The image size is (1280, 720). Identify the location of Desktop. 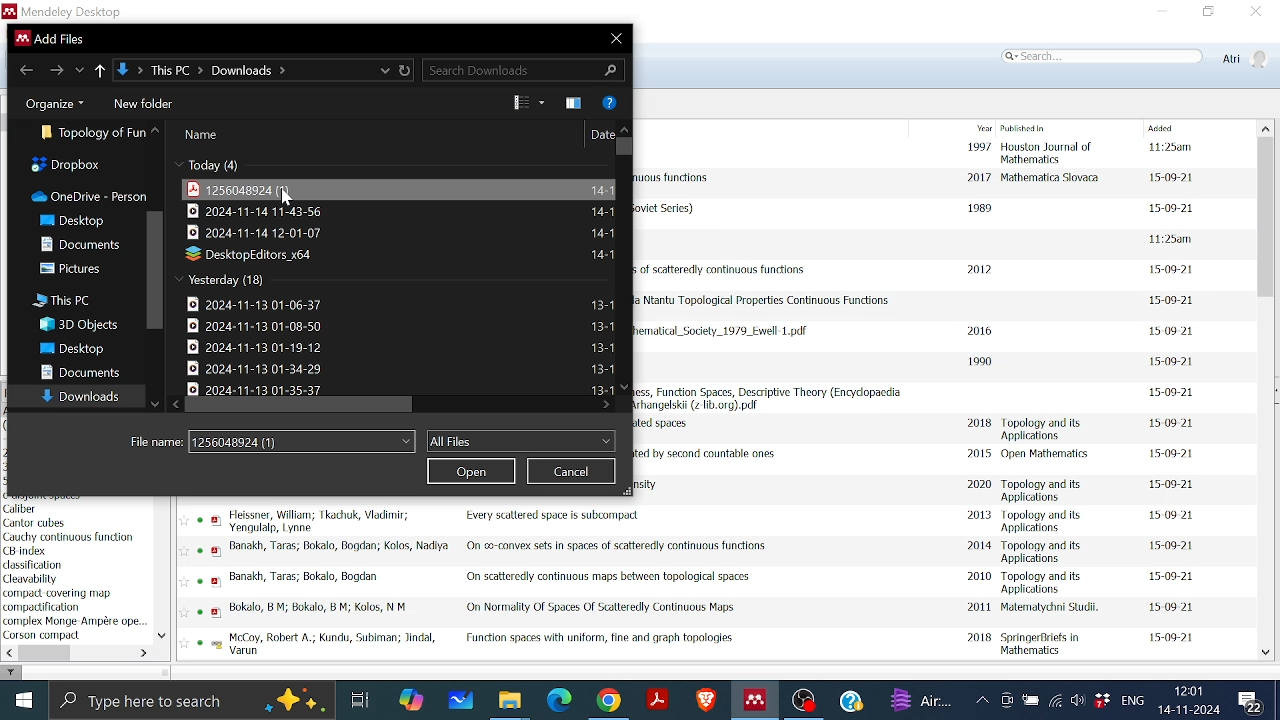
(83, 220).